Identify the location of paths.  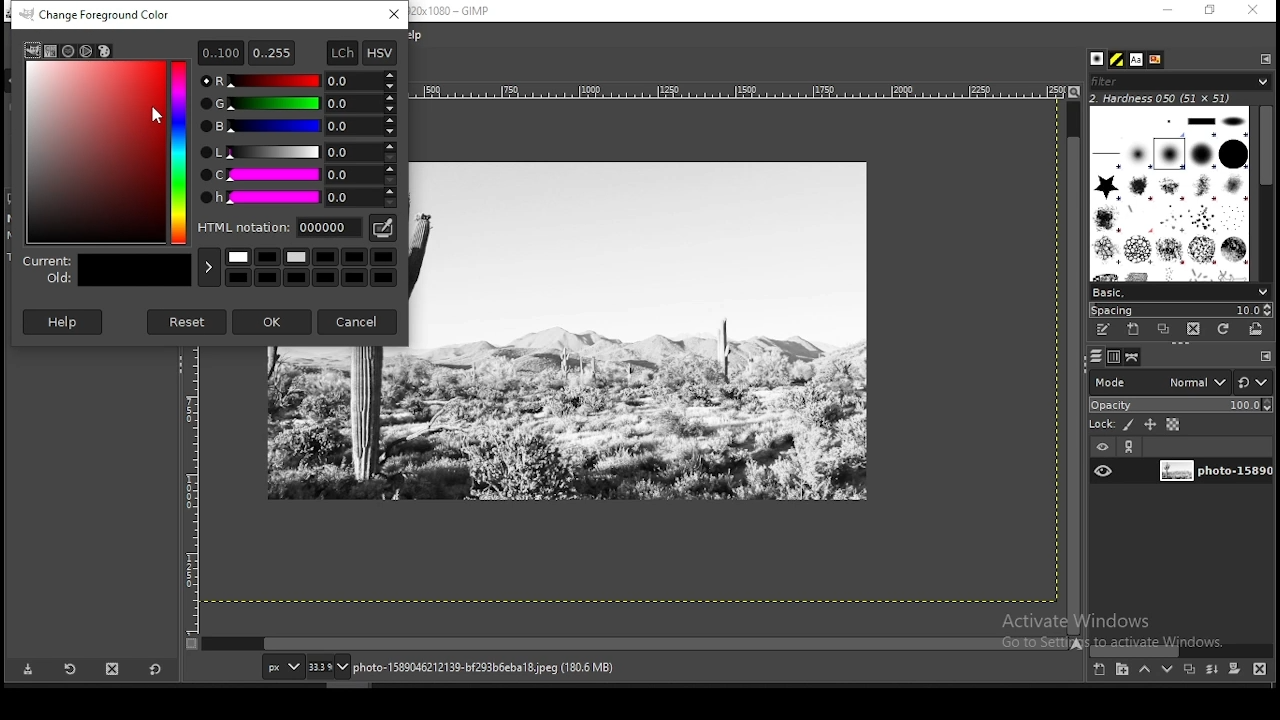
(1135, 357).